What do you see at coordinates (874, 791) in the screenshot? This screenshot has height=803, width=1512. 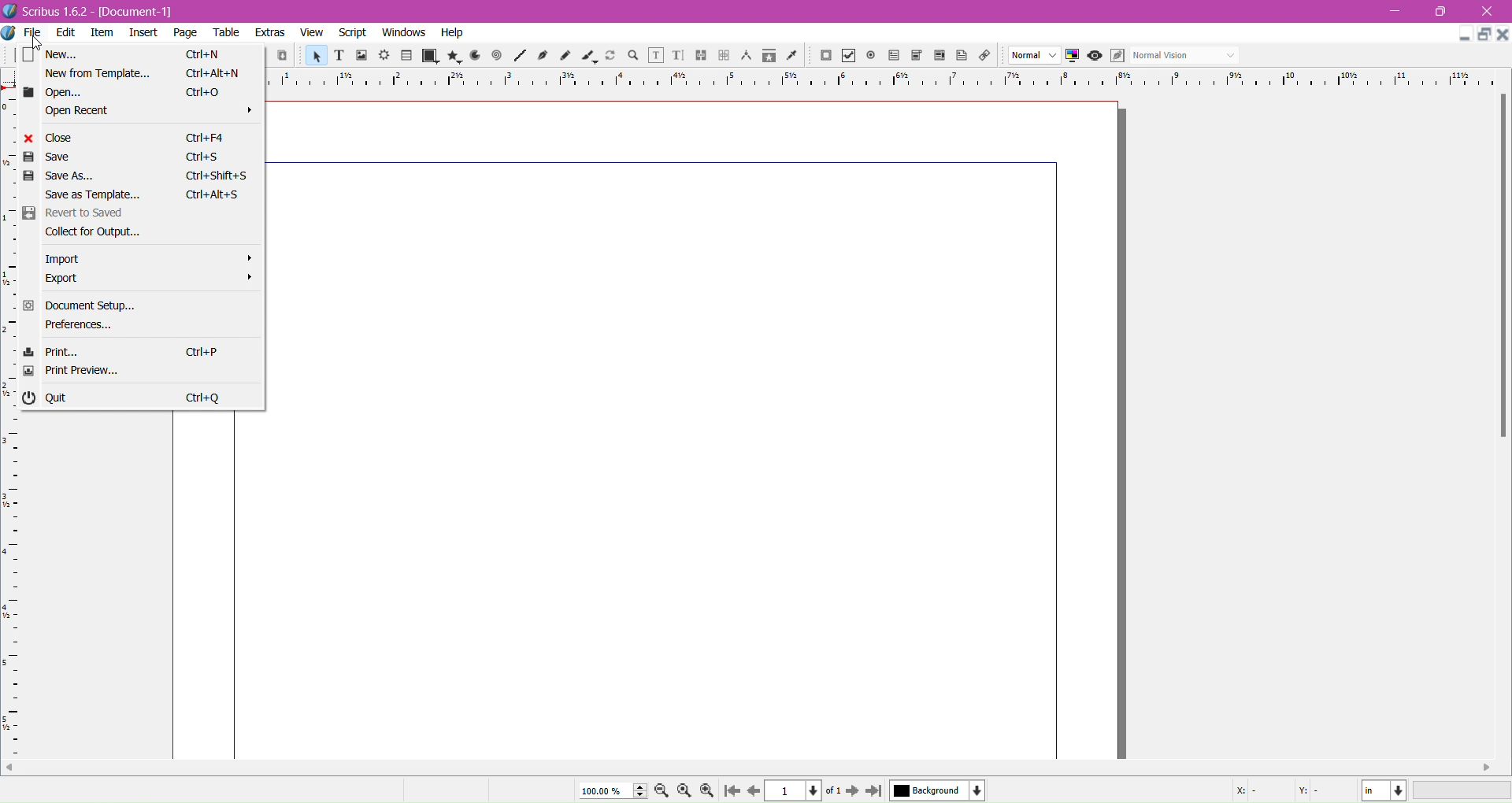 I see `Go to last page` at bounding box center [874, 791].